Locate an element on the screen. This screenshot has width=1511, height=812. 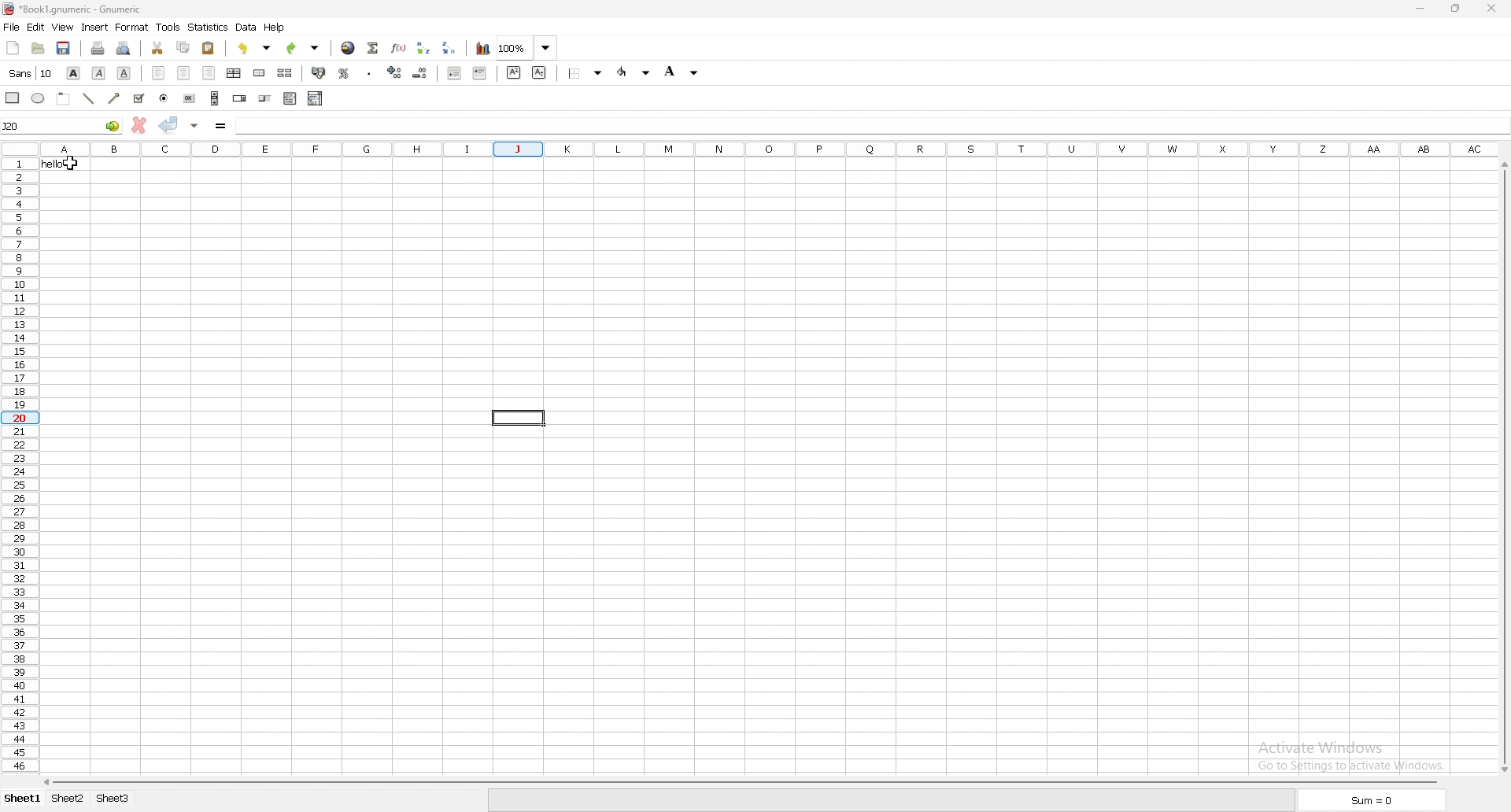
align right is located at coordinates (210, 73).